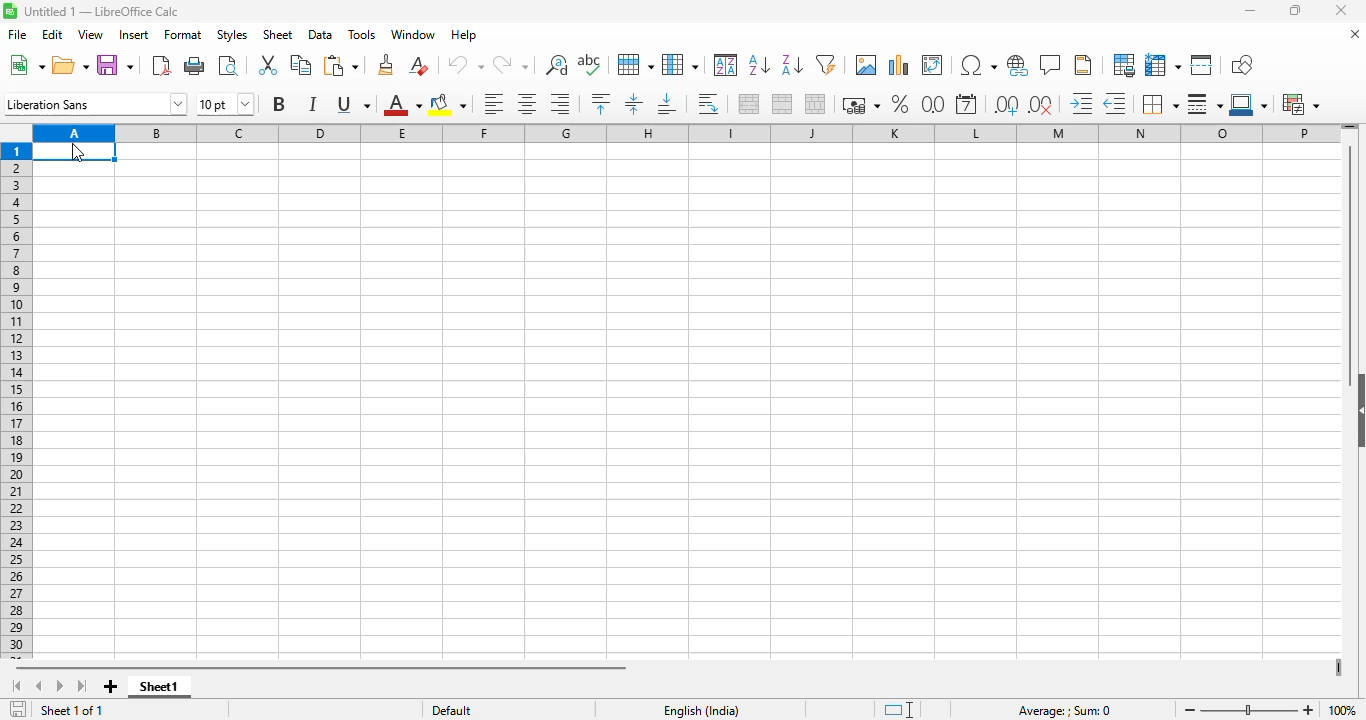  Describe the element at coordinates (750, 104) in the screenshot. I see `merge and center or unmerge cells depending on the current toggle state` at that location.